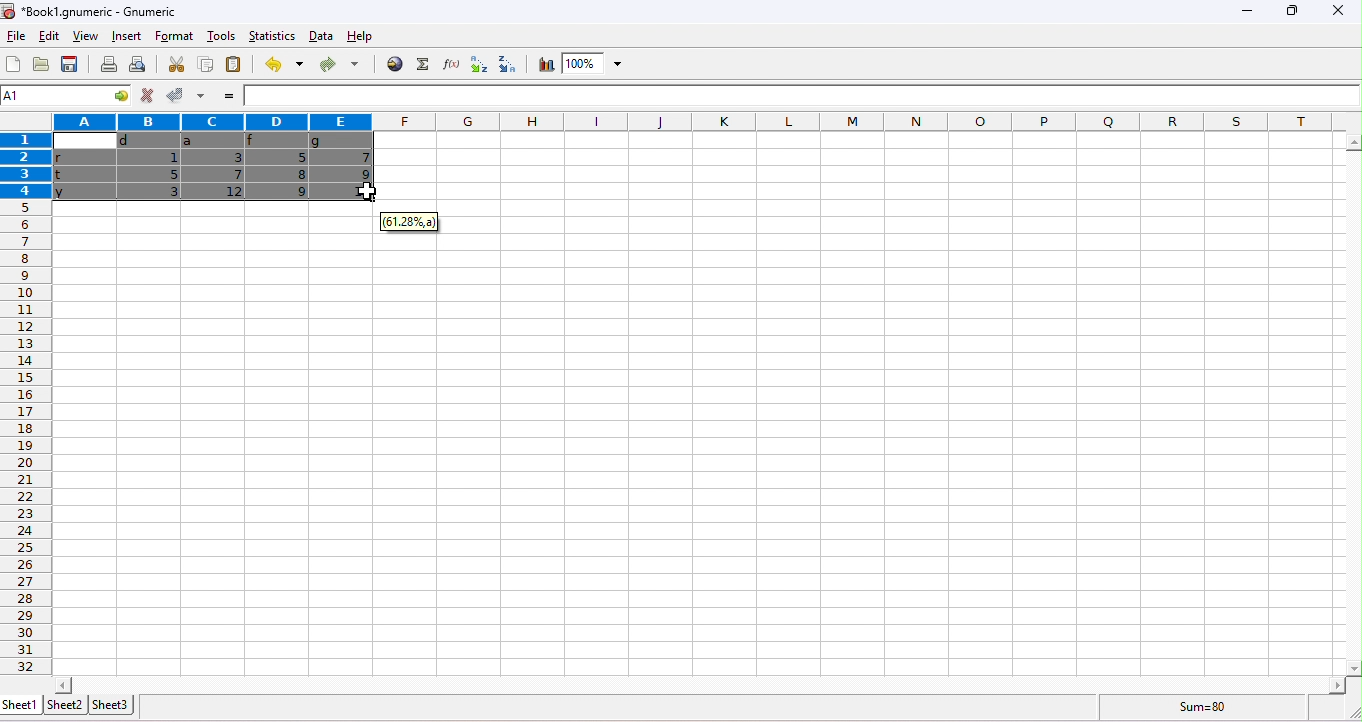  What do you see at coordinates (477, 64) in the screenshot?
I see `sort ascending` at bounding box center [477, 64].